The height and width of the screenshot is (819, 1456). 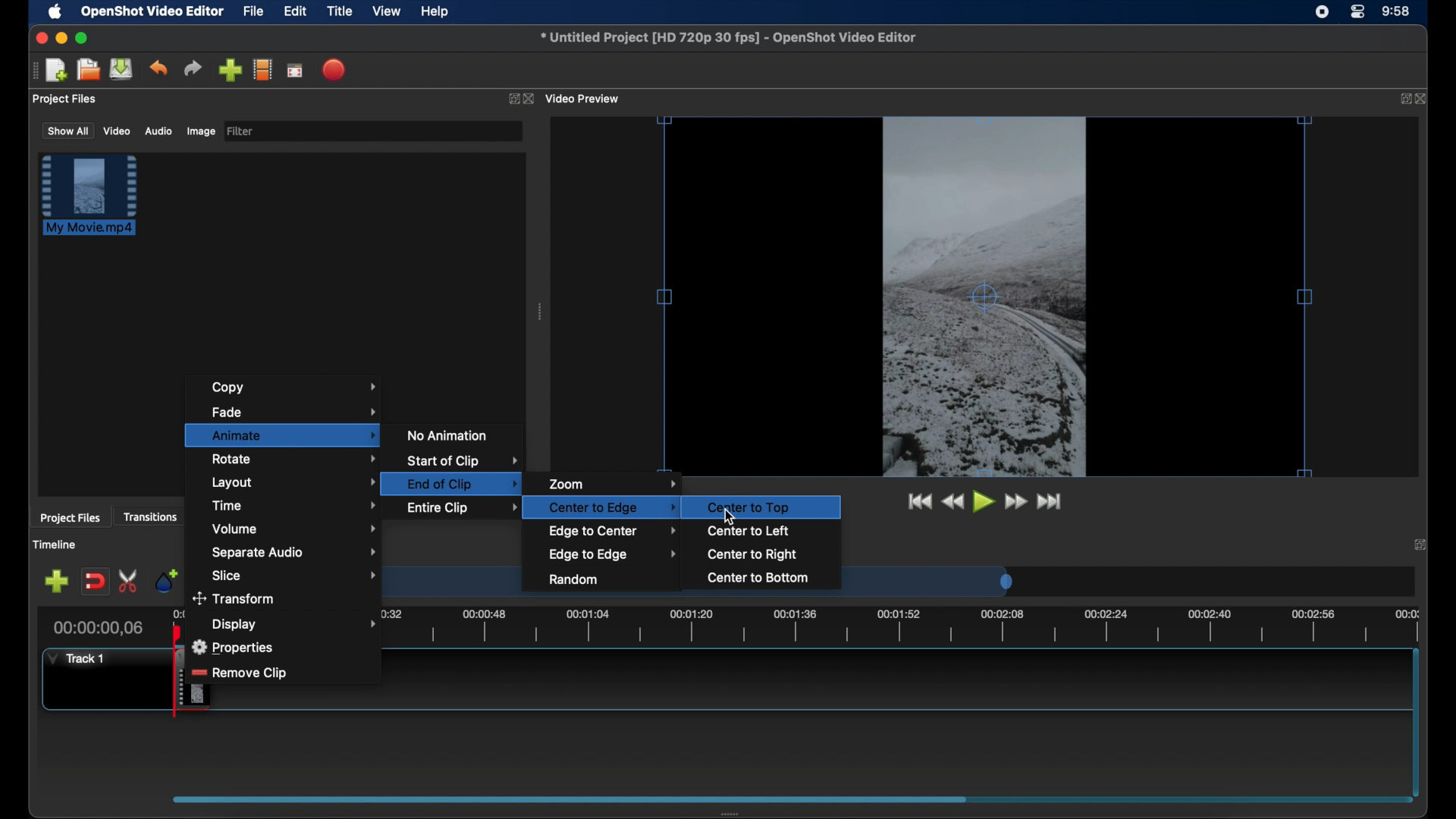 I want to click on center tot op highlighted, so click(x=760, y=507).